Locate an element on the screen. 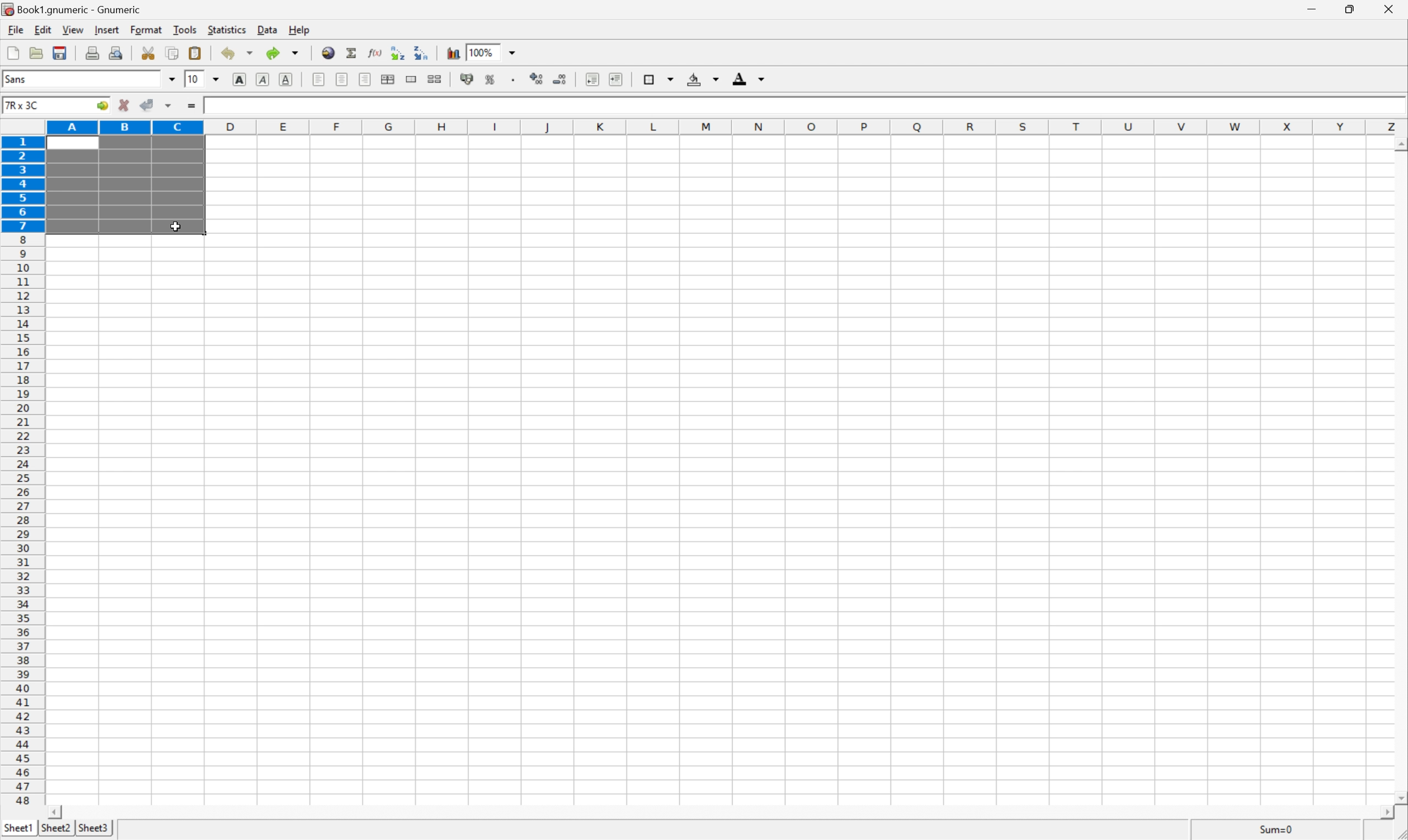 The image size is (1408, 840). help is located at coordinates (298, 29).